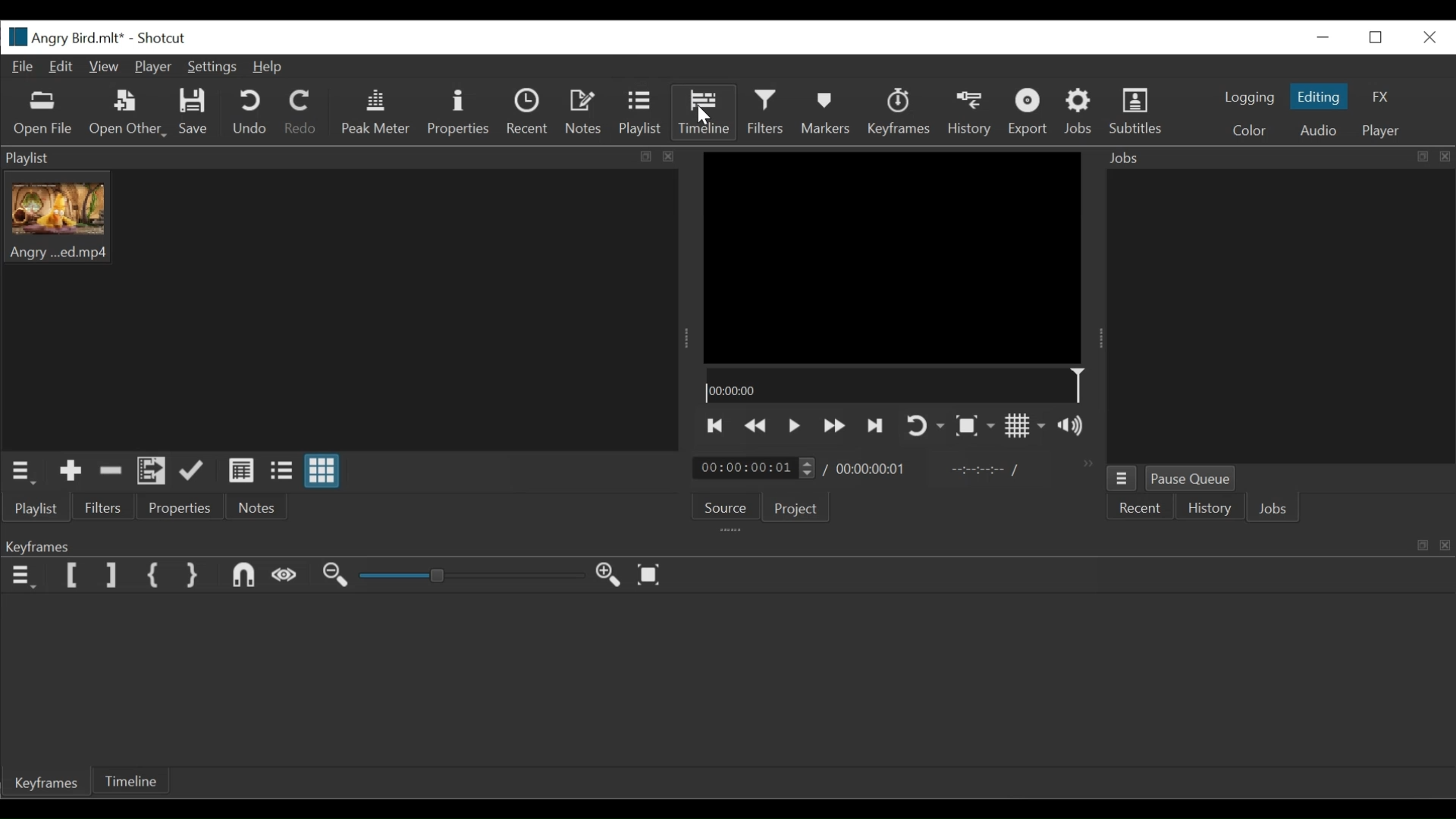 The width and height of the screenshot is (1456, 819). What do you see at coordinates (827, 114) in the screenshot?
I see `Markers` at bounding box center [827, 114].